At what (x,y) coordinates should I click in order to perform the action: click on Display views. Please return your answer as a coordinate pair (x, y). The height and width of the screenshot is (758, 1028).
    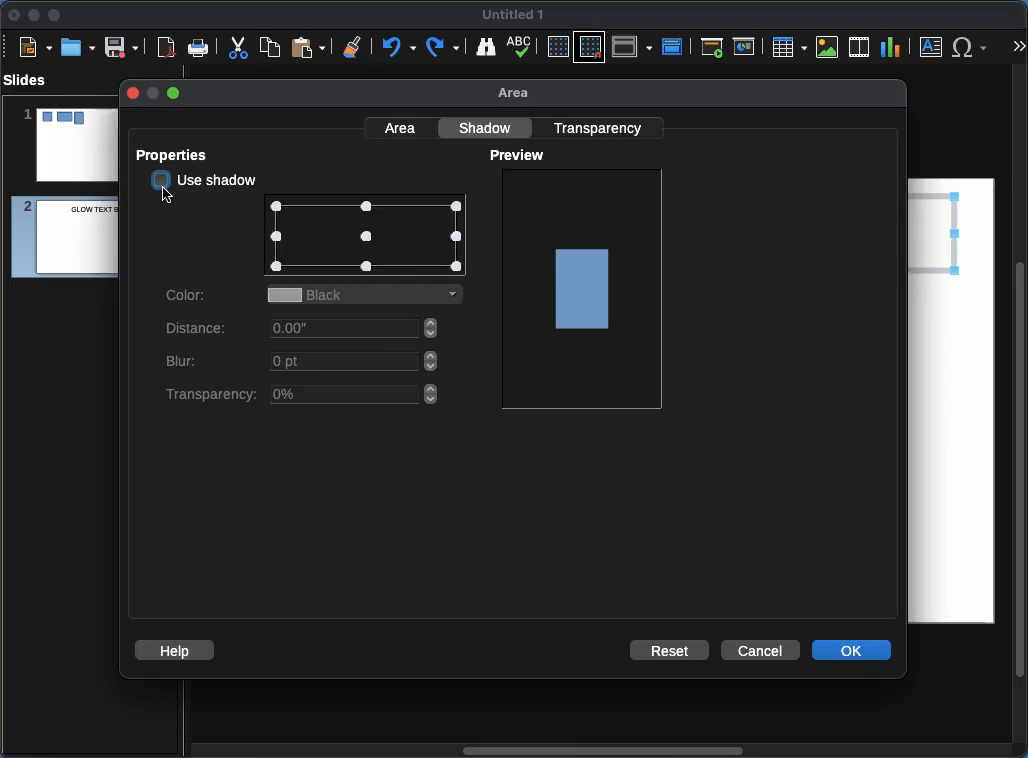
    Looking at the image, I should click on (635, 45).